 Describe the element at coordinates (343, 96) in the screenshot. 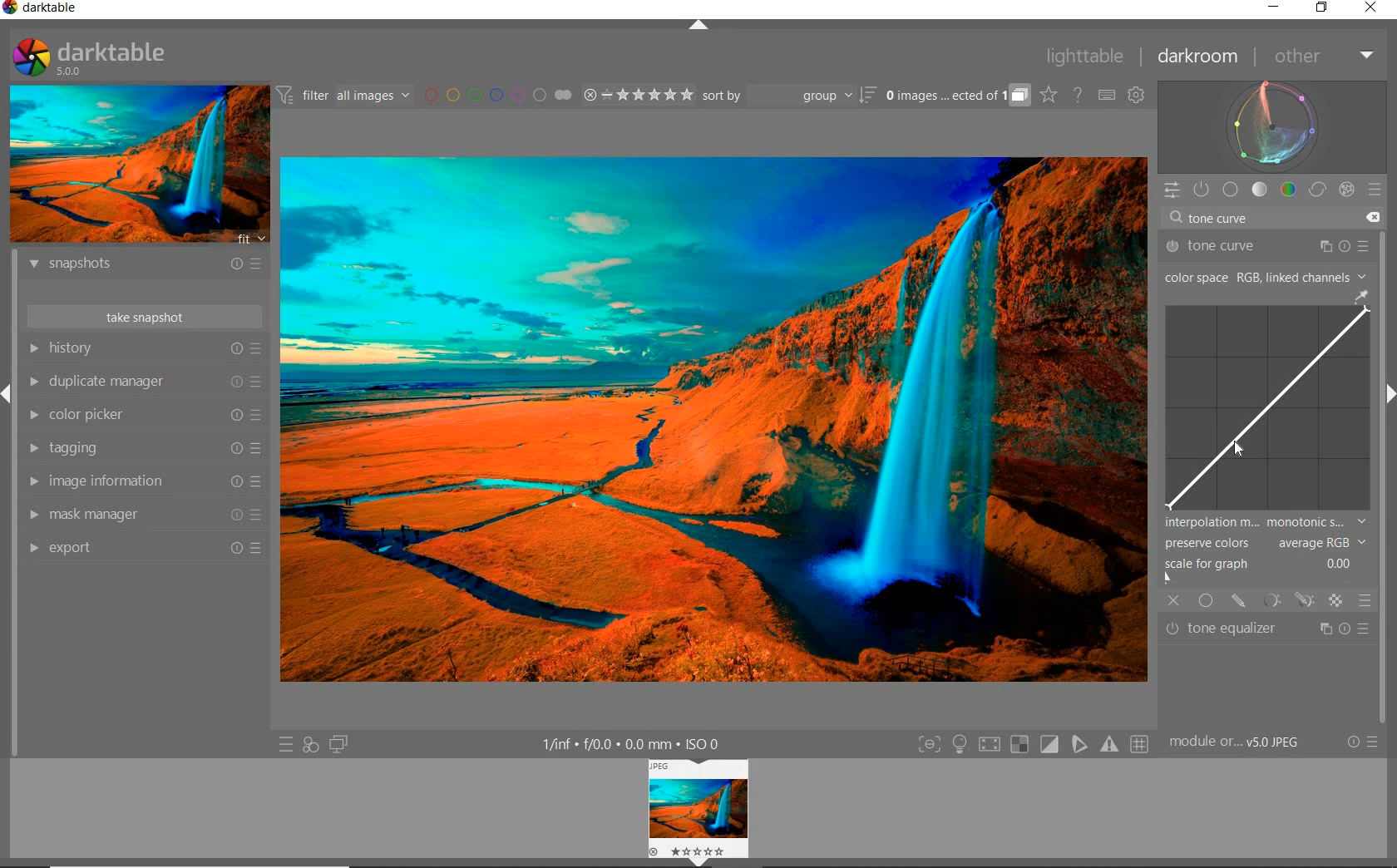

I see `FILTER IMAGES BASED ON THEIR MODULE ORDER` at that location.